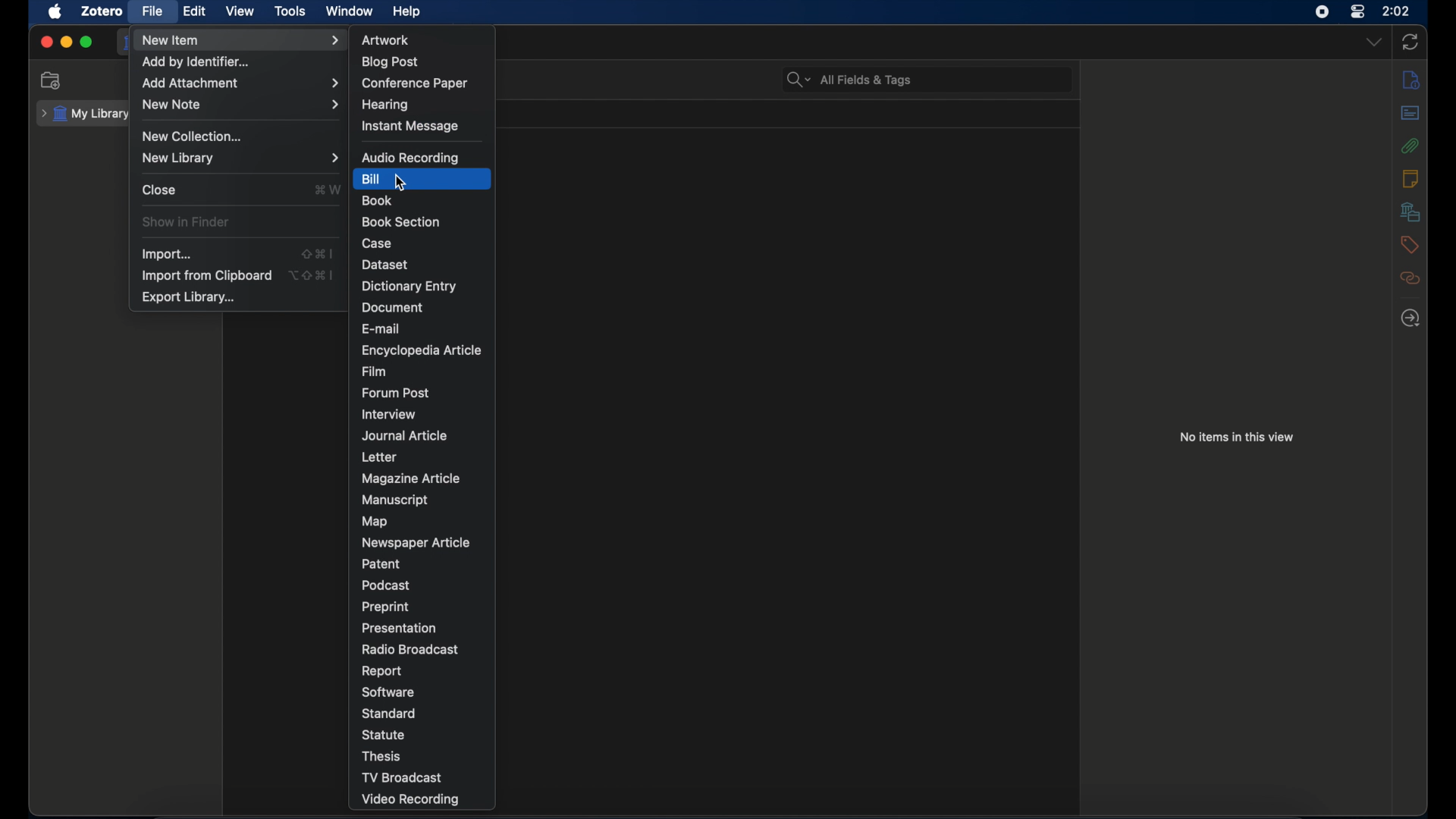 The width and height of the screenshot is (1456, 819). What do you see at coordinates (194, 136) in the screenshot?
I see `new collection` at bounding box center [194, 136].